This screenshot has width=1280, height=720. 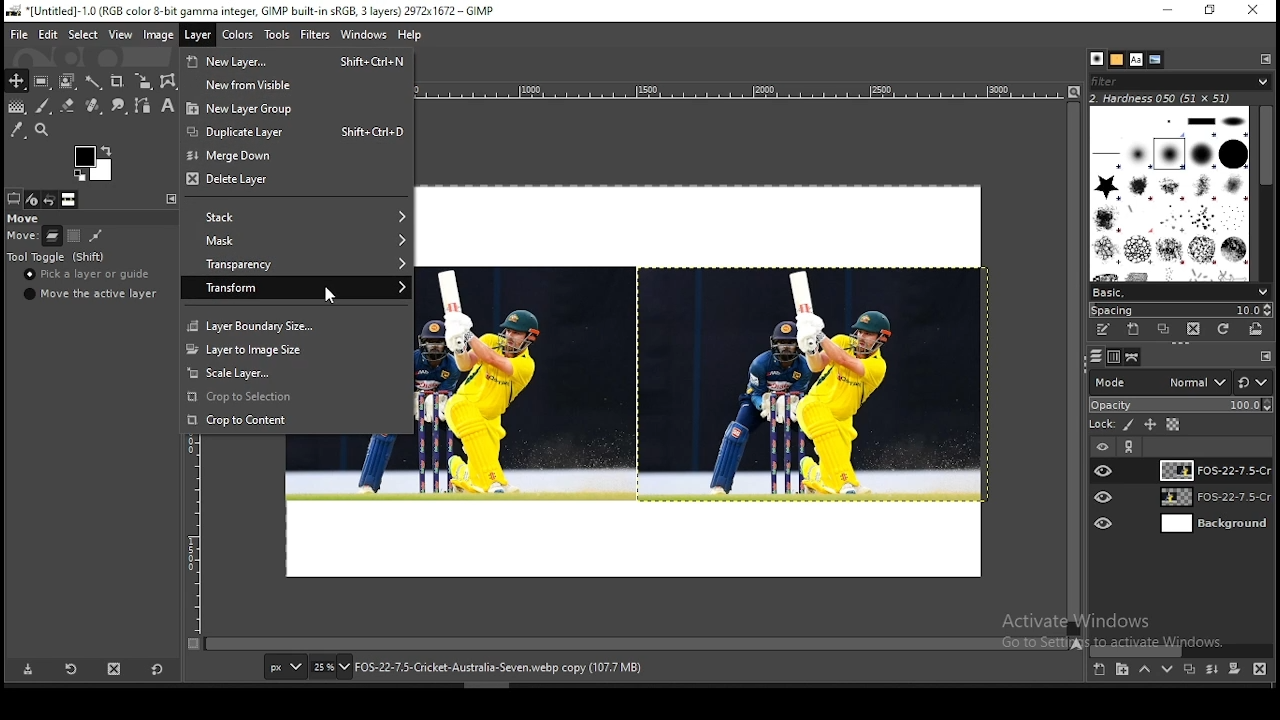 What do you see at coordinates (1101, 445) in the screenshot?
I see `layer visibility on/off` at bounding box center [1101, 445].